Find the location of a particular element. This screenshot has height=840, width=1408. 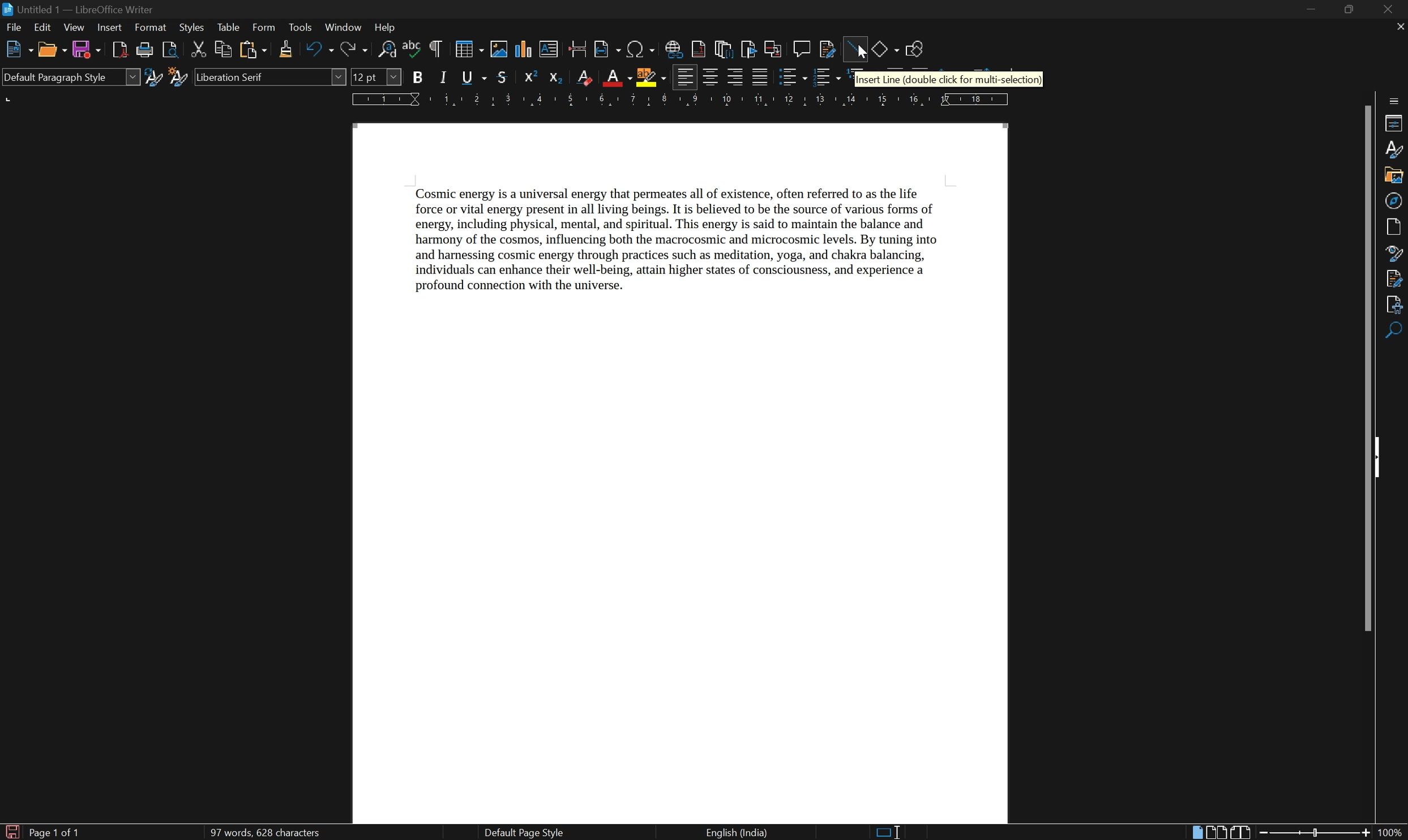

align left is located at coordinates (687, 76).